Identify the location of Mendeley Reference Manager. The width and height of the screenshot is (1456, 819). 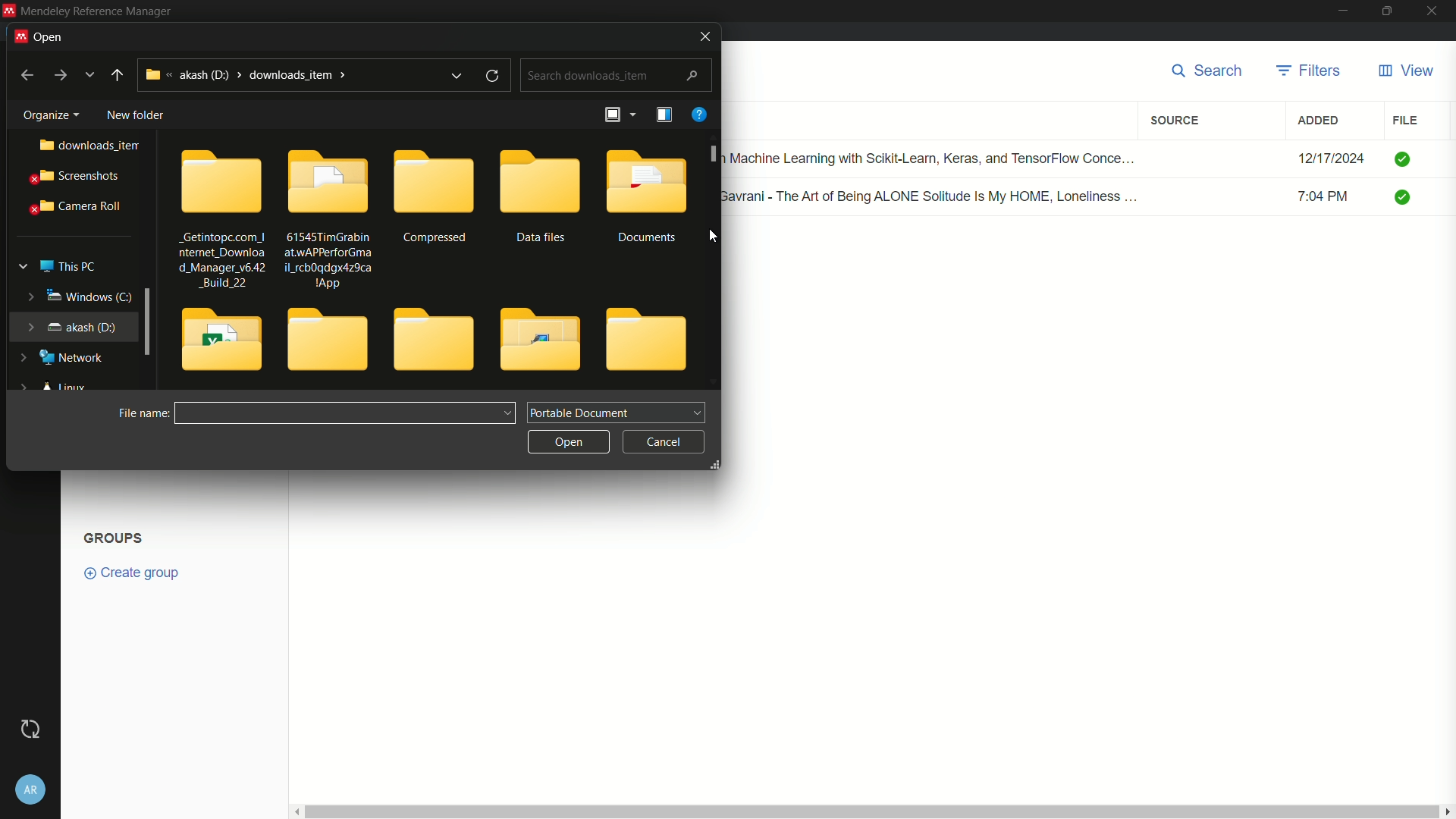
(96, 11).